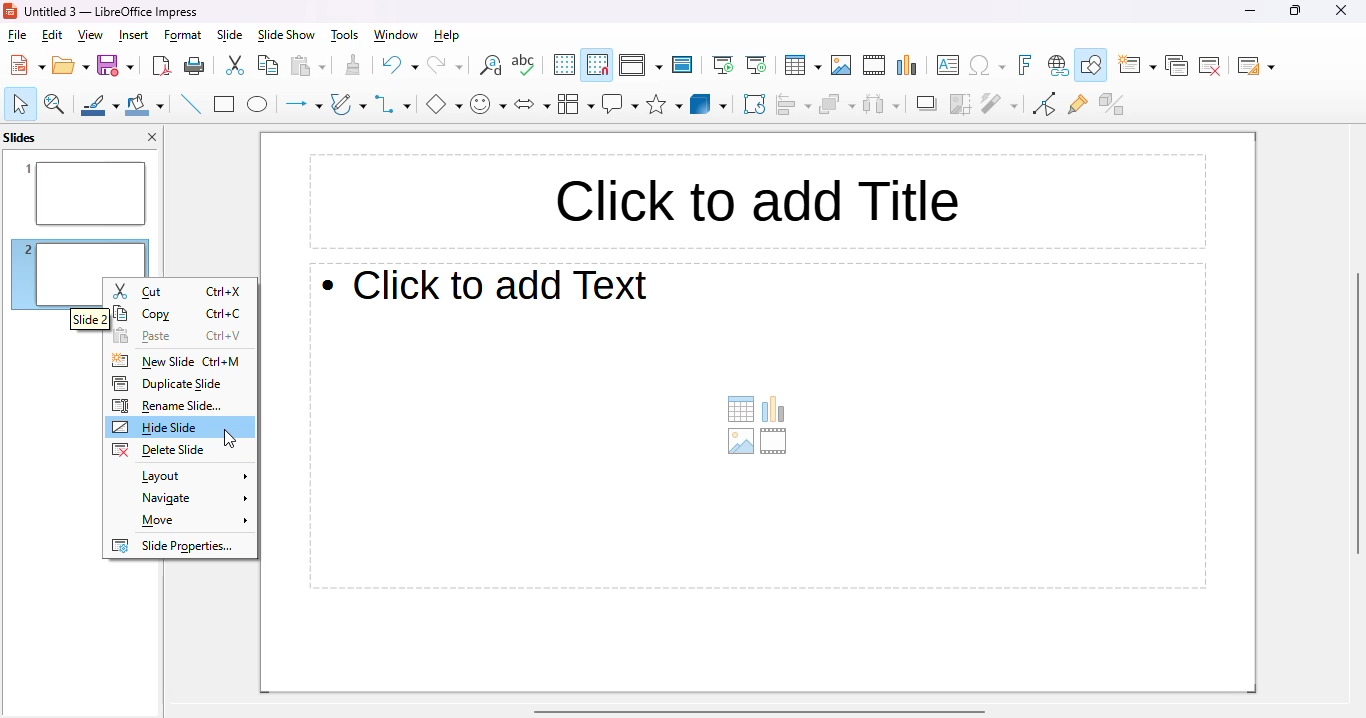 This screenshot has width=1366, height=718. I want to click on insert text box, so click(949, 64).